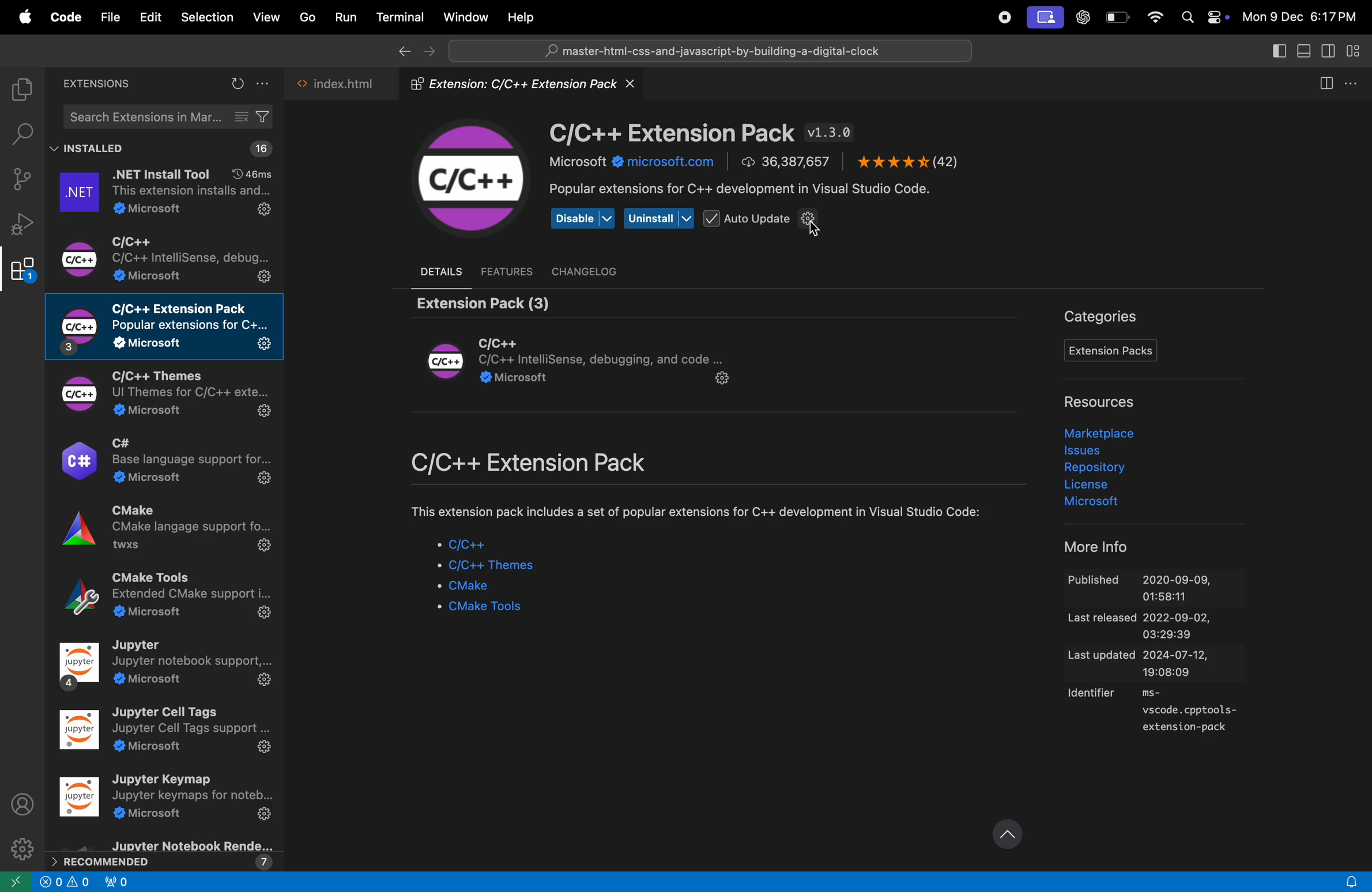 Image resolution: width=1372 pixels, height=892 pixels. I want to click on Code, so click(66, 17).